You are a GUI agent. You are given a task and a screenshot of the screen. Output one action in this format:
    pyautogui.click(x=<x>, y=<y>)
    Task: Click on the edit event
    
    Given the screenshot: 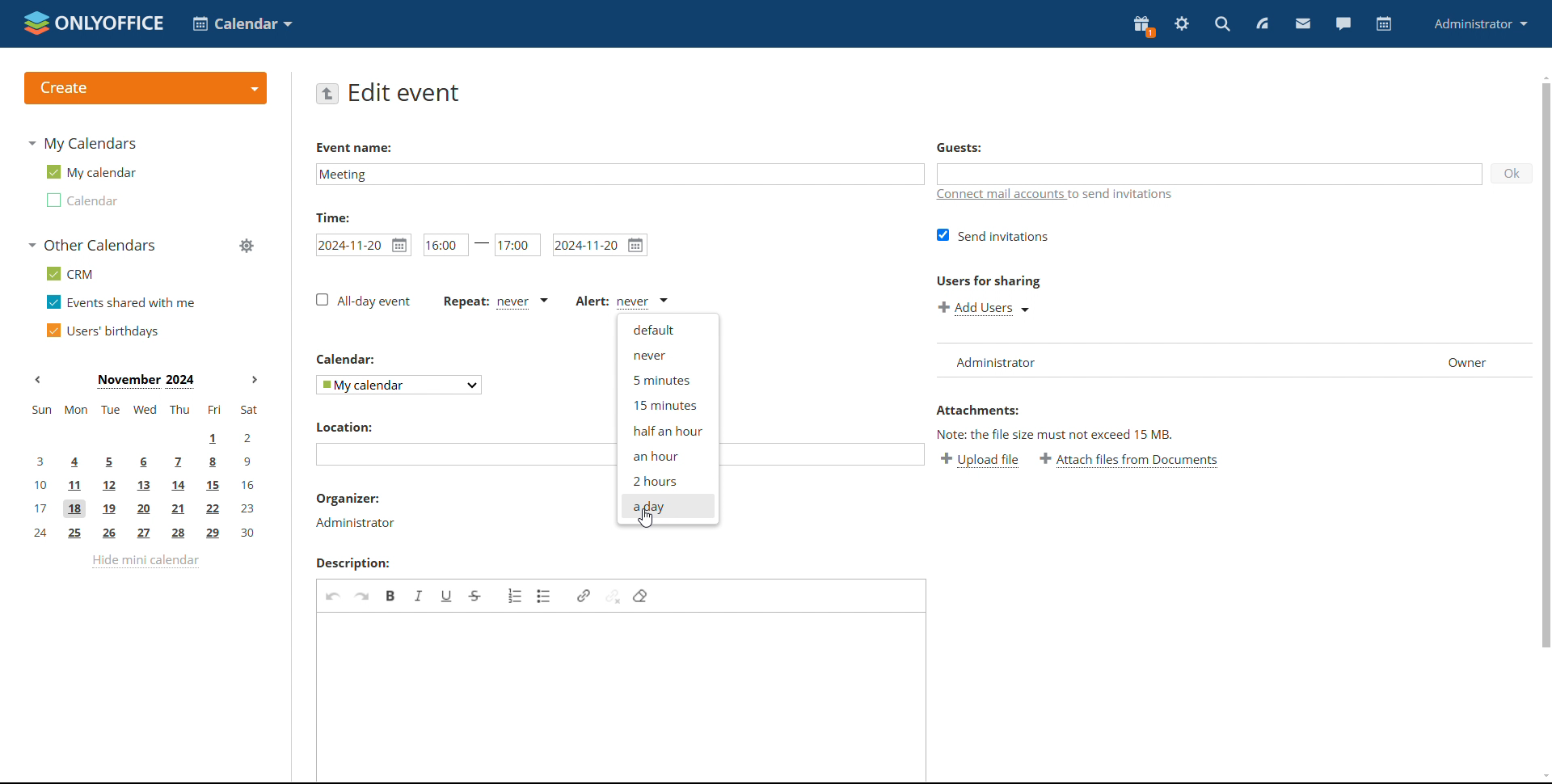 What is the action you would take?
    pyautogui.click(x=404, y=93)
    